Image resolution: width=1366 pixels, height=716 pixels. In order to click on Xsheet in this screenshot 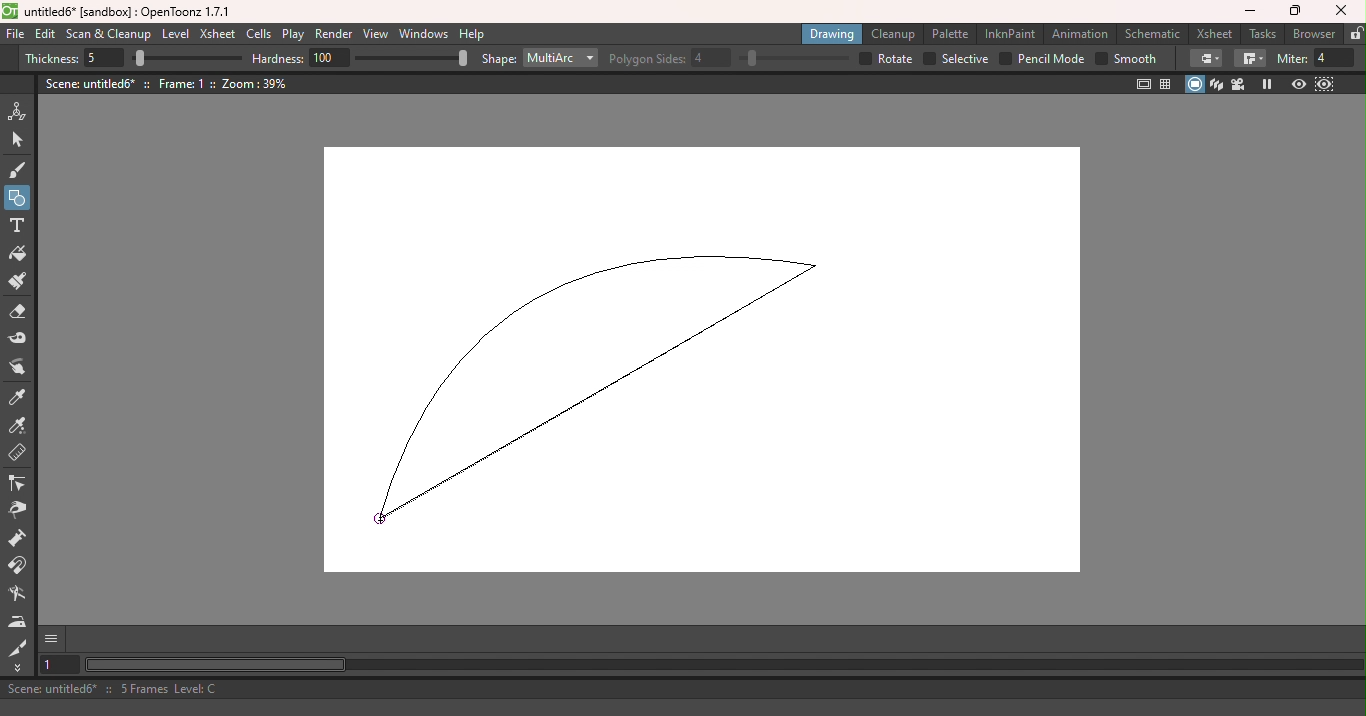, I will do `click(1214, 33)`.